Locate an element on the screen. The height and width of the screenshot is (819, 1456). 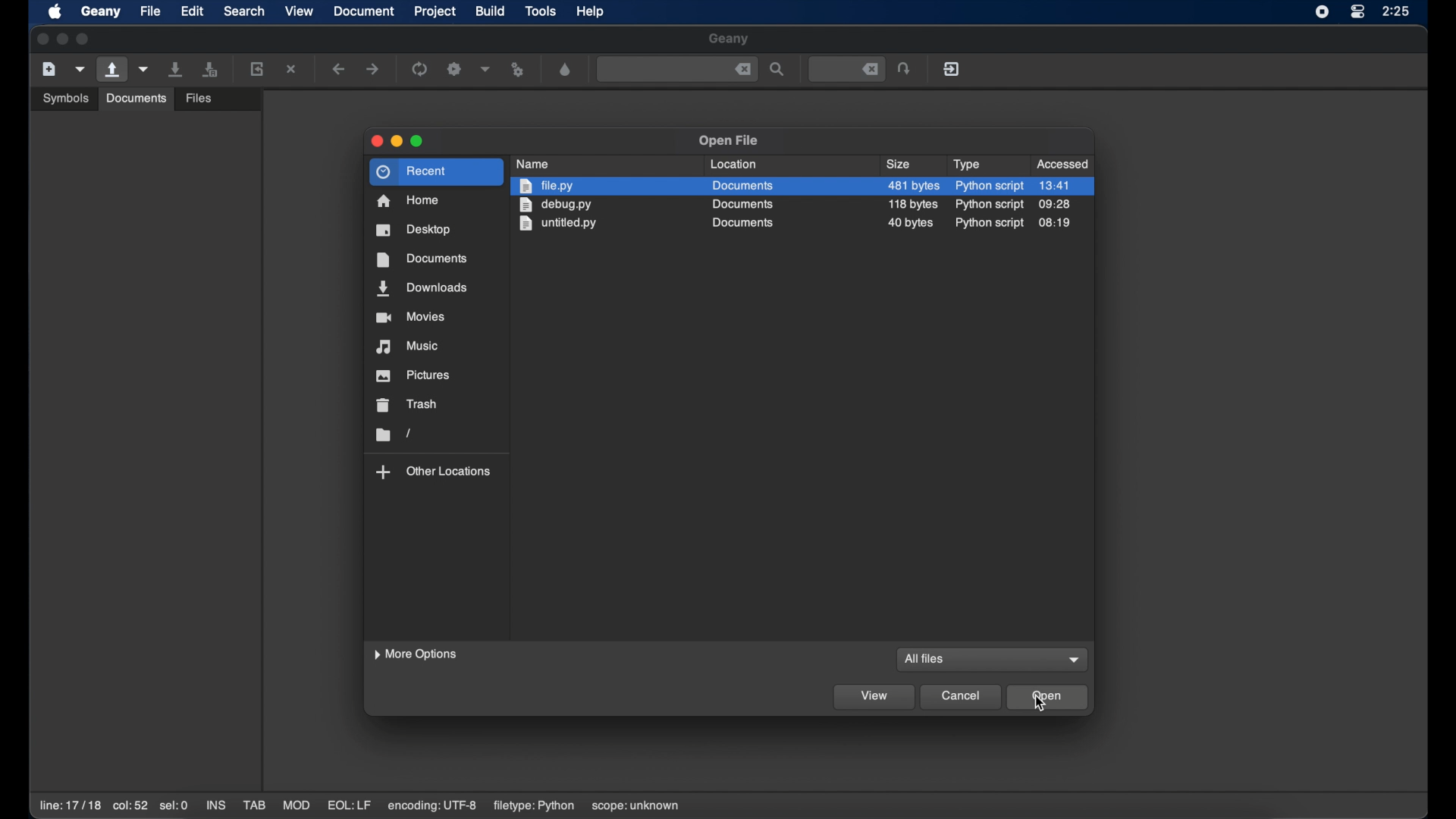
build is located at coordinates (490, 11).